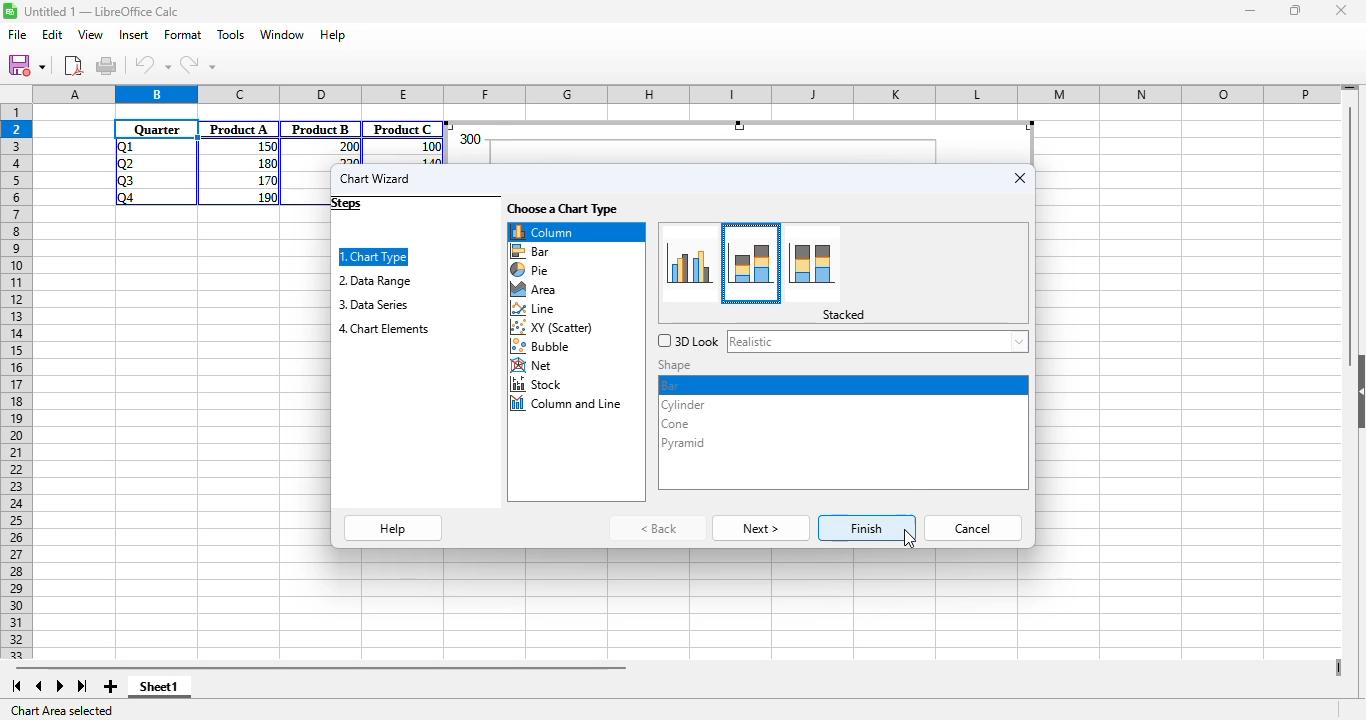 This screenshot has width=1366, height=720. I want to click on chart wizard, so click(375, 178).